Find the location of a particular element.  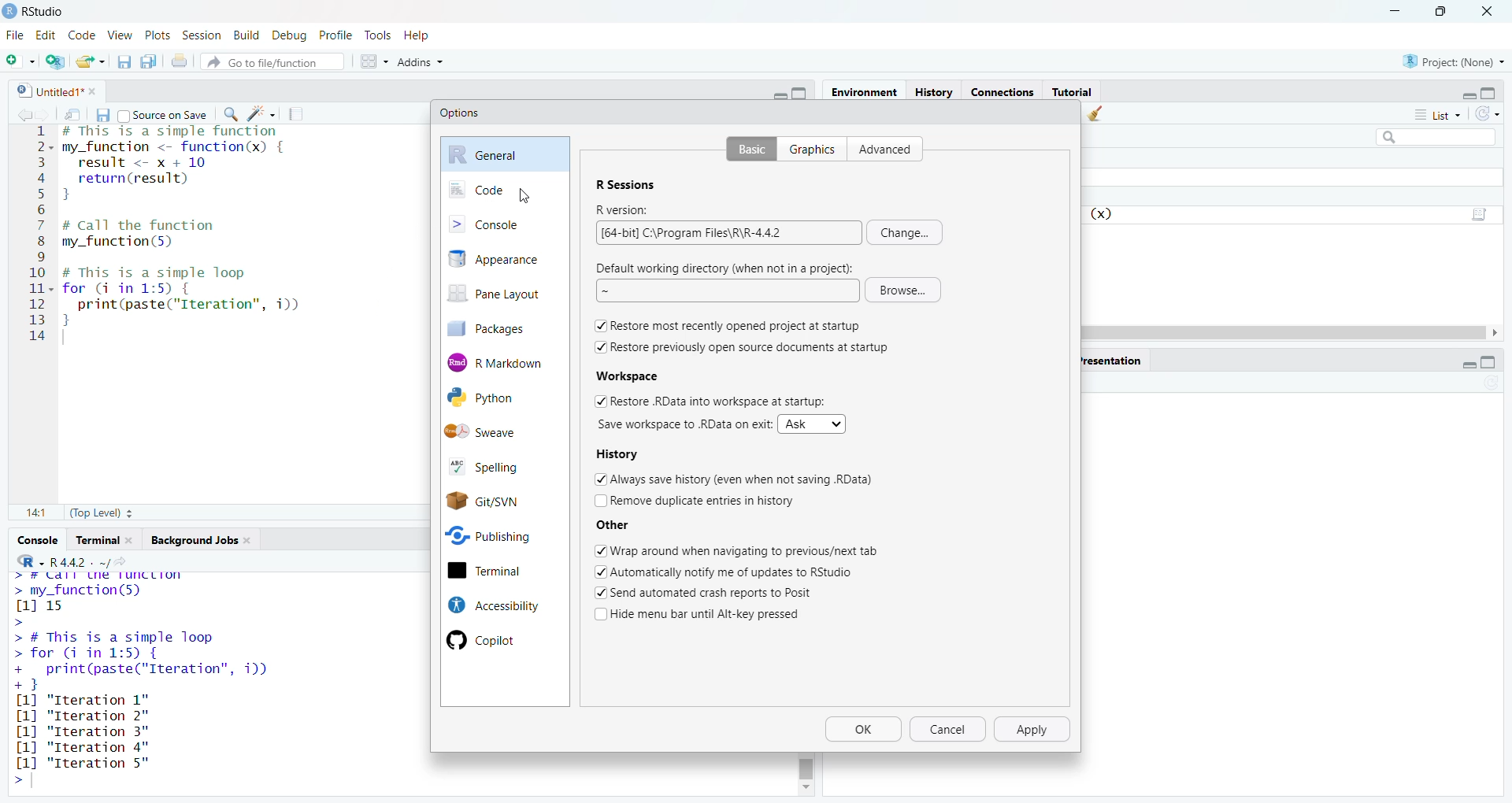

R 4.4.2 . ~/ is located at coordinates (80, 561).